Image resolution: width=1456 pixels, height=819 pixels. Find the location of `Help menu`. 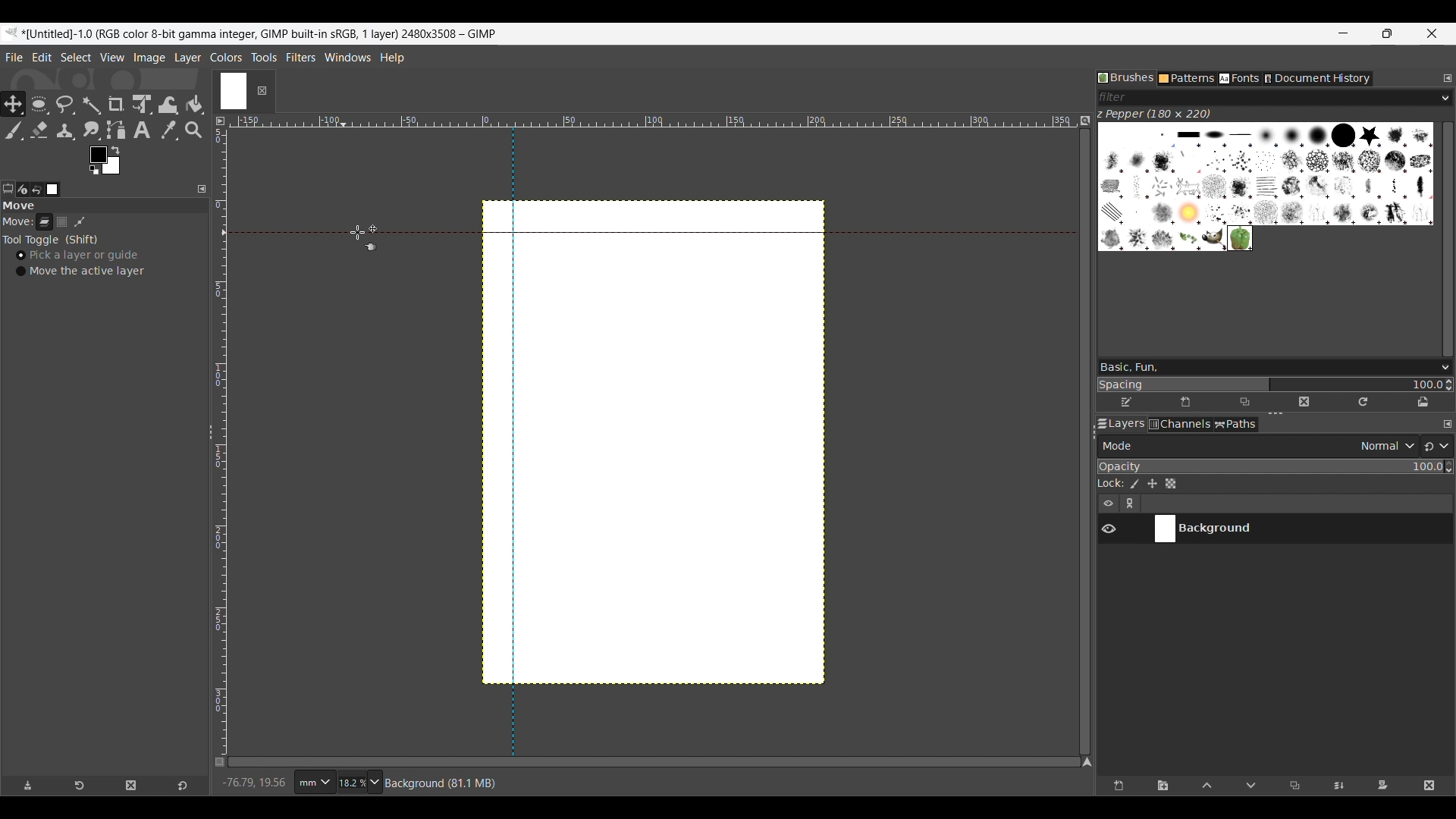

Help menu is located at coordinates (391, 57).